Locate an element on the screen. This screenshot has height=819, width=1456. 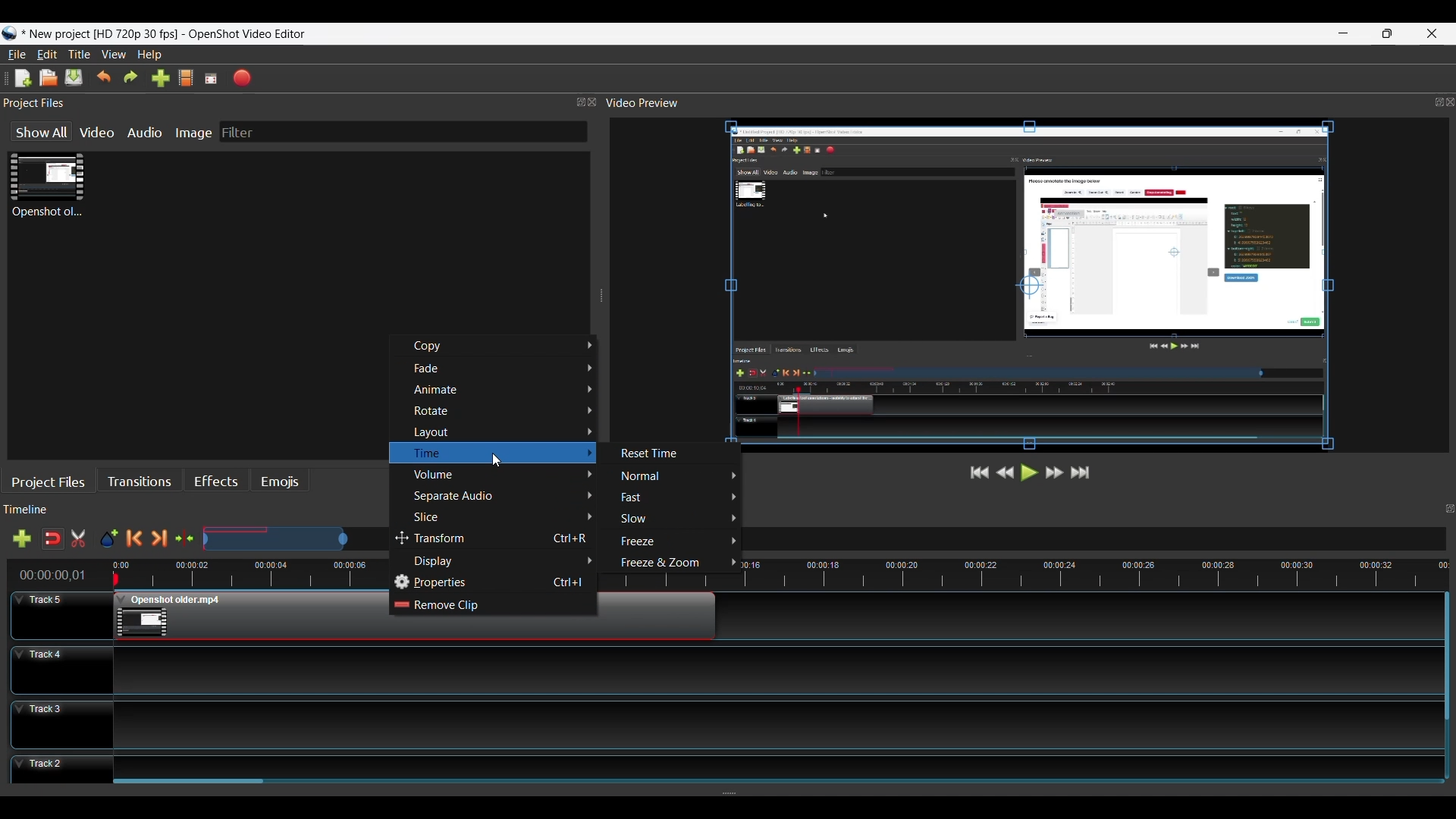
Help is located at coordinates (149, 55).